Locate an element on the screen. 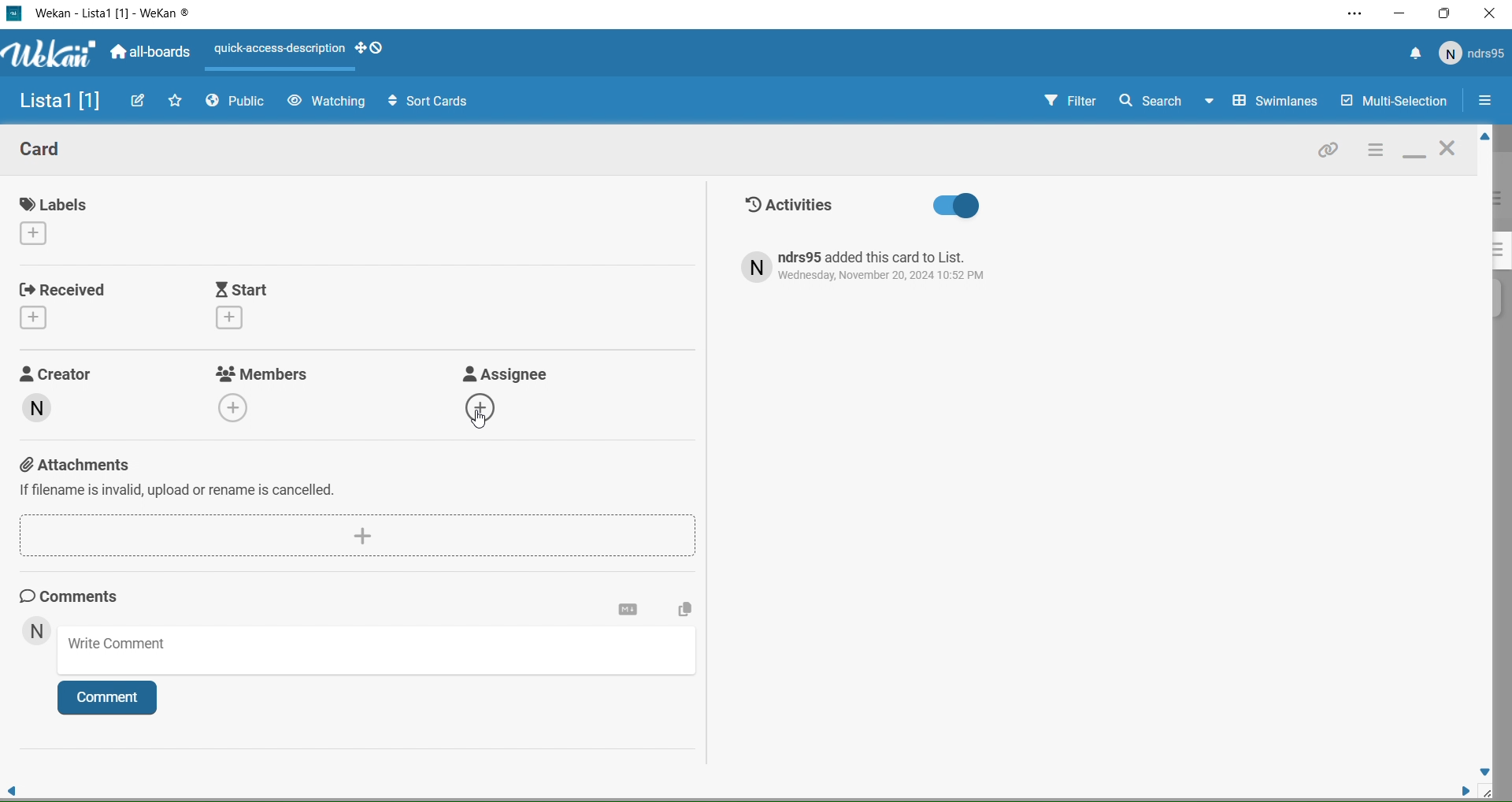 This screenshot has width=1512, height=802. Comments is located at coordinates (83, 596).